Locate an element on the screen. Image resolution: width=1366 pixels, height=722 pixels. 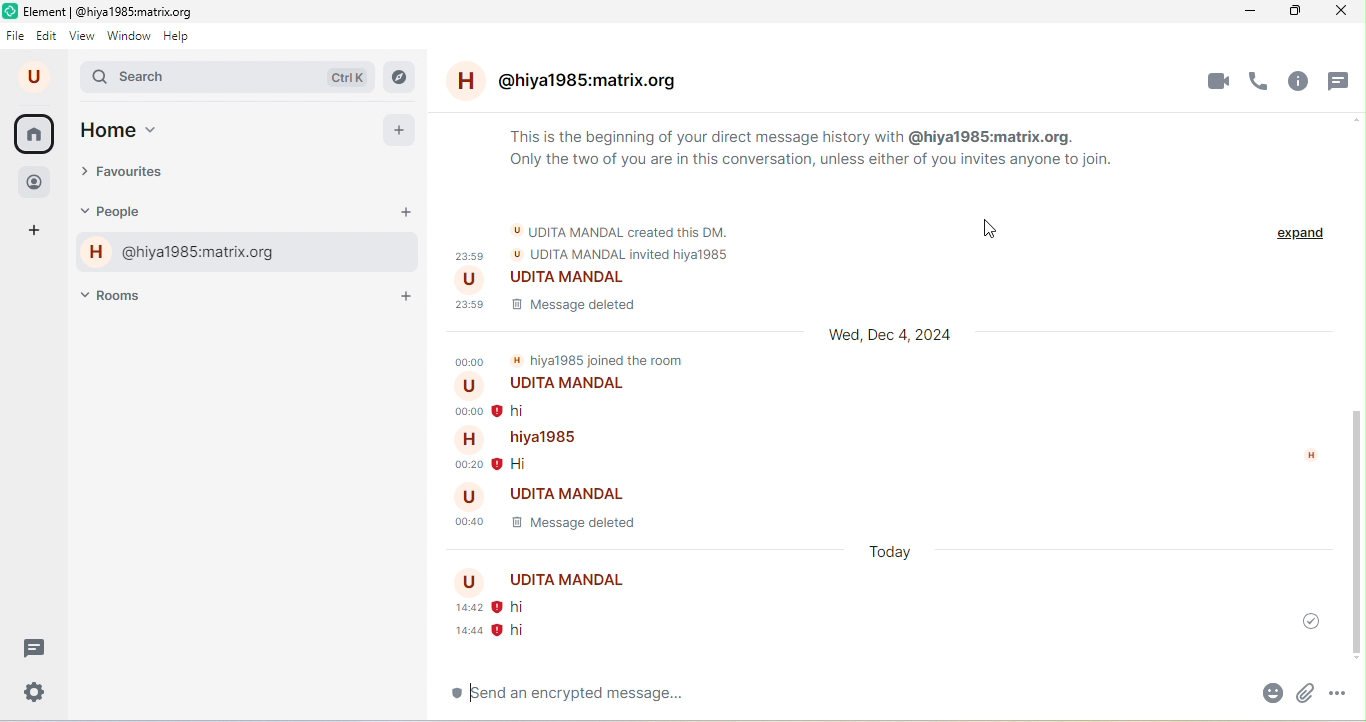
00.00 is located at coordinates (469, 359).